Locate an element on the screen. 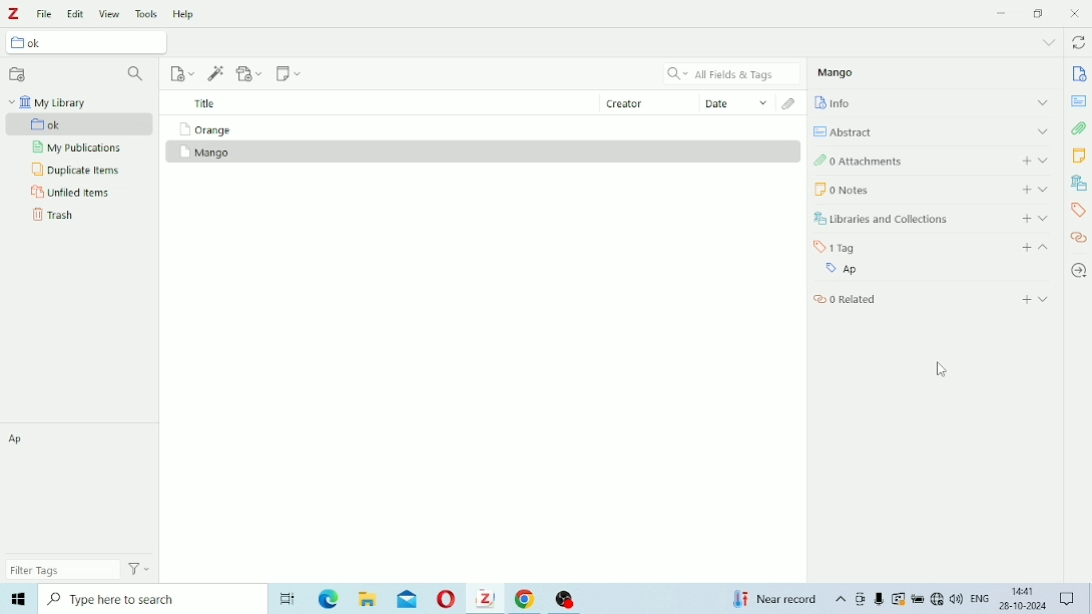 The image size is (1092, 614). List all tabs is located at coordinates (1050, 43).